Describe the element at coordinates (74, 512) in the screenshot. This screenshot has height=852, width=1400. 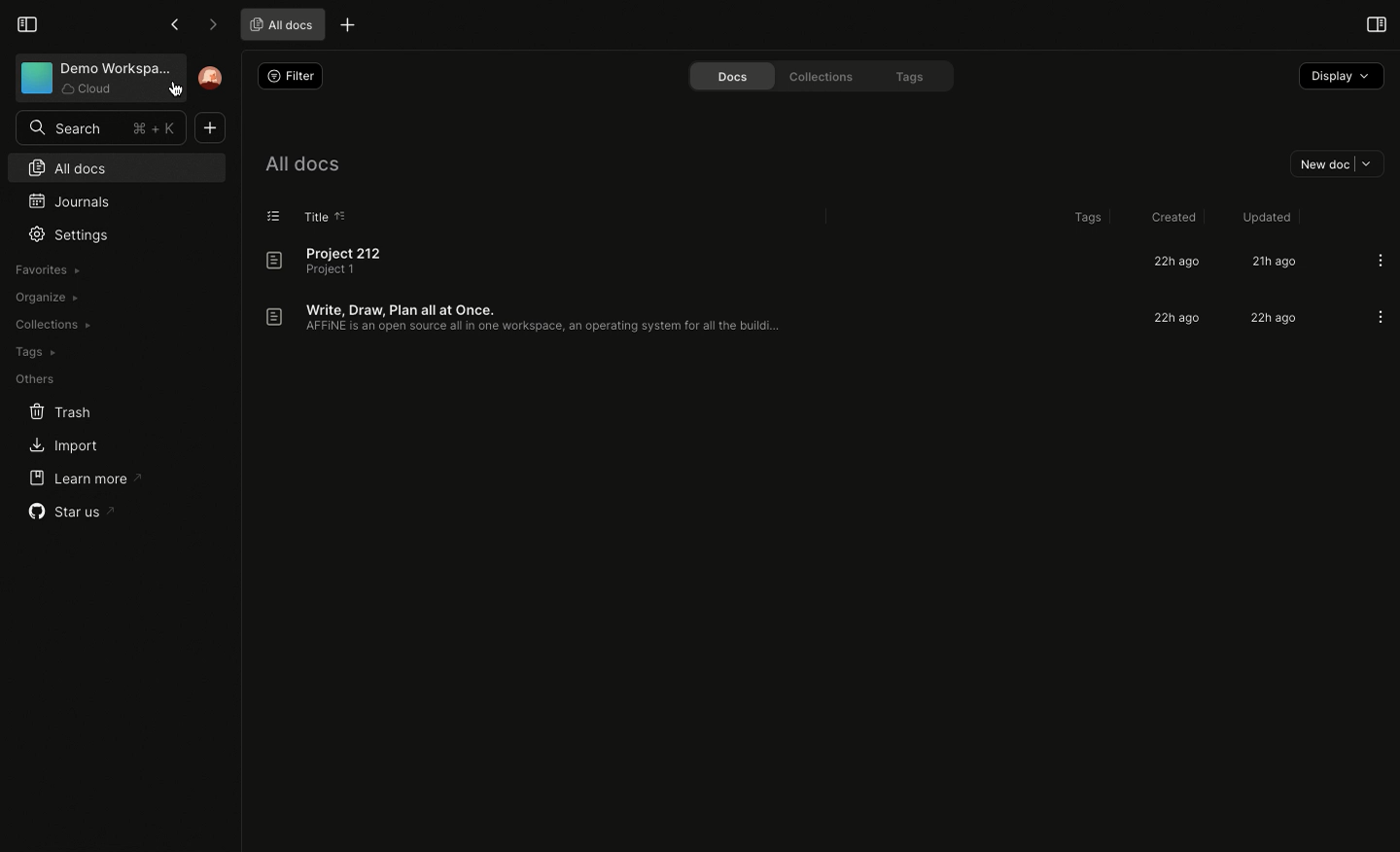
I see `Star us` at that location.